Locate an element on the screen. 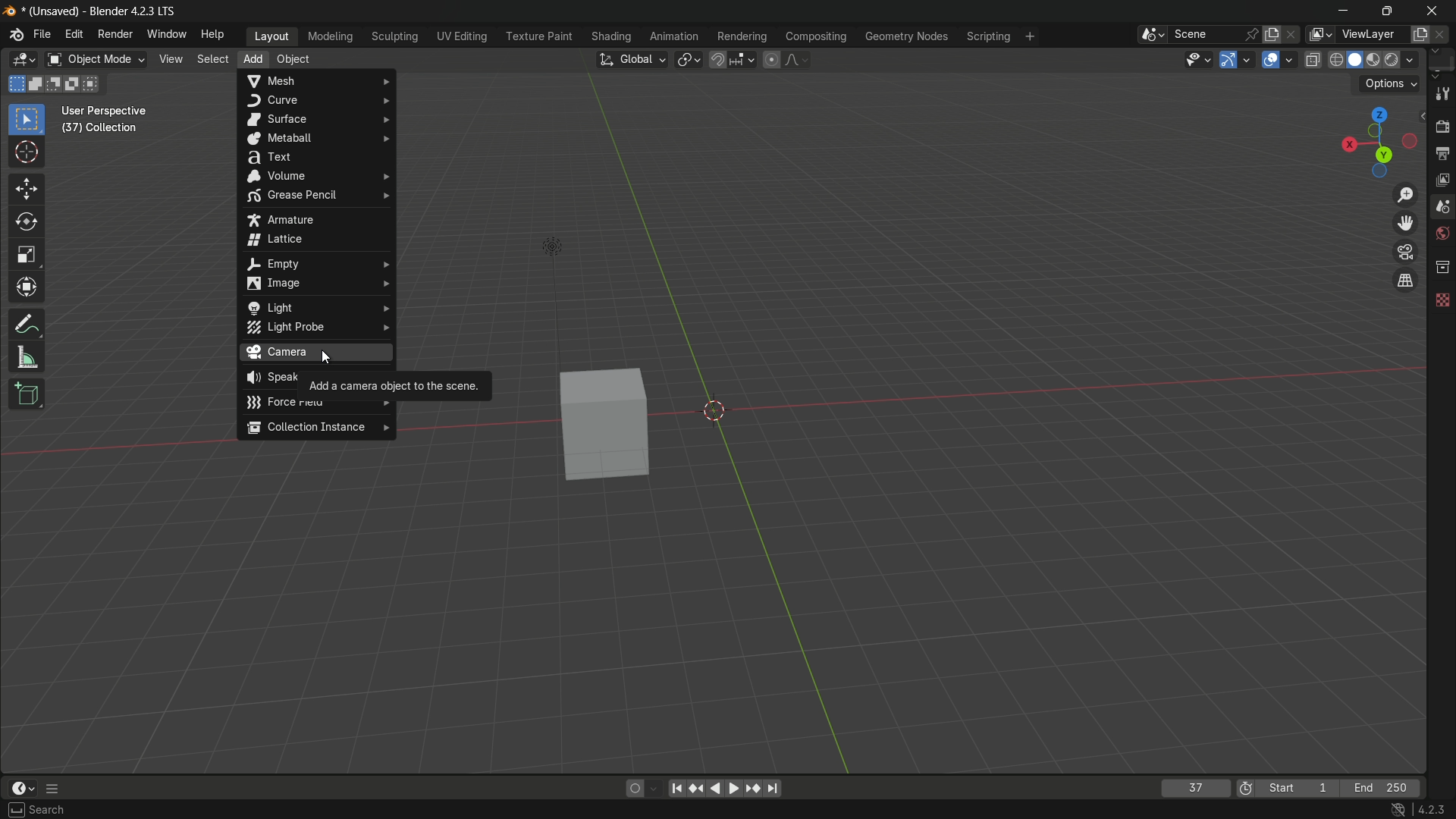 This screenshot has height=819, width=1456. collections is located at coordinates (1442, 267).